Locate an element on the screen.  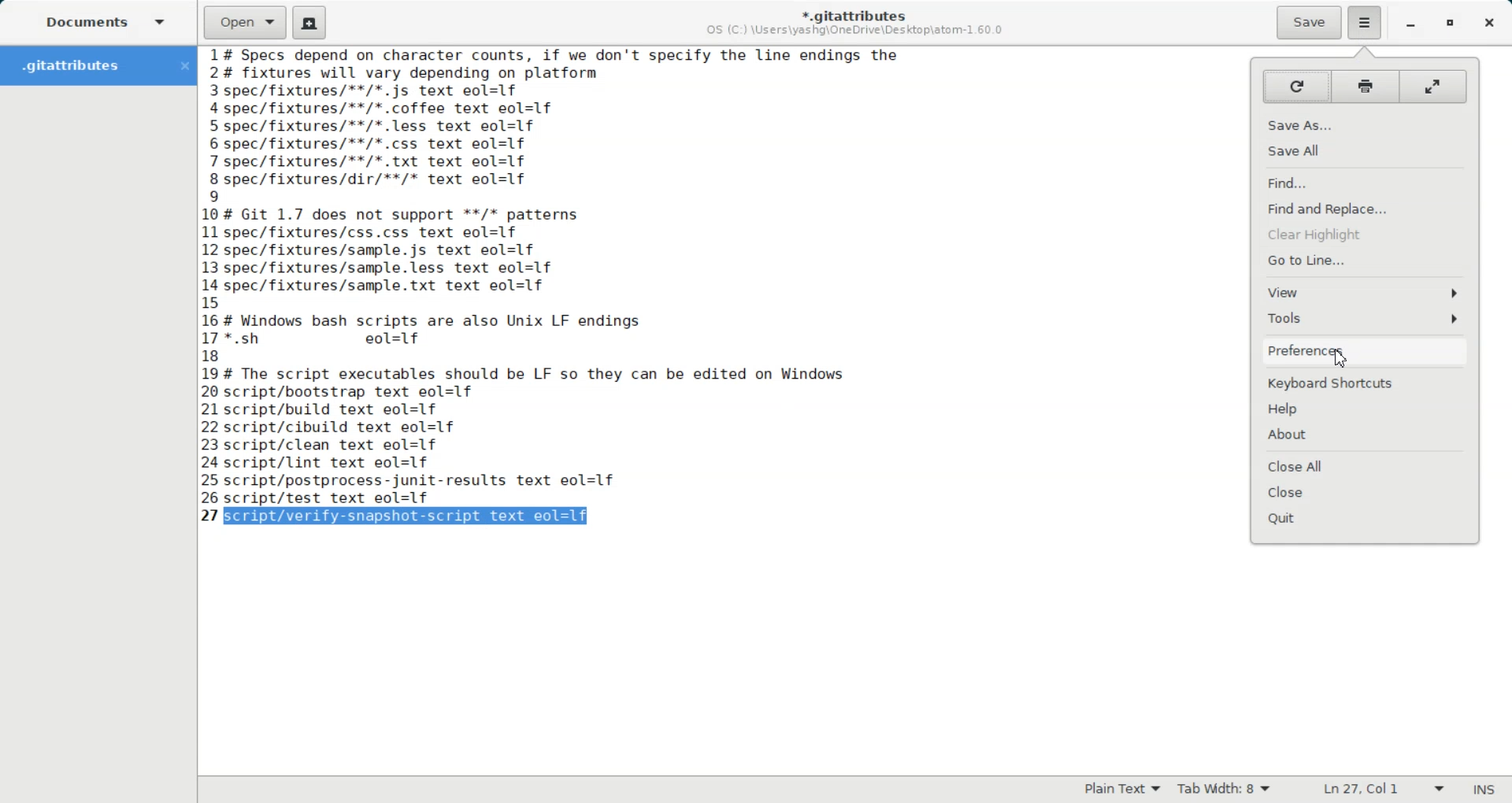
Tools is located at coordinates (1366, 319).